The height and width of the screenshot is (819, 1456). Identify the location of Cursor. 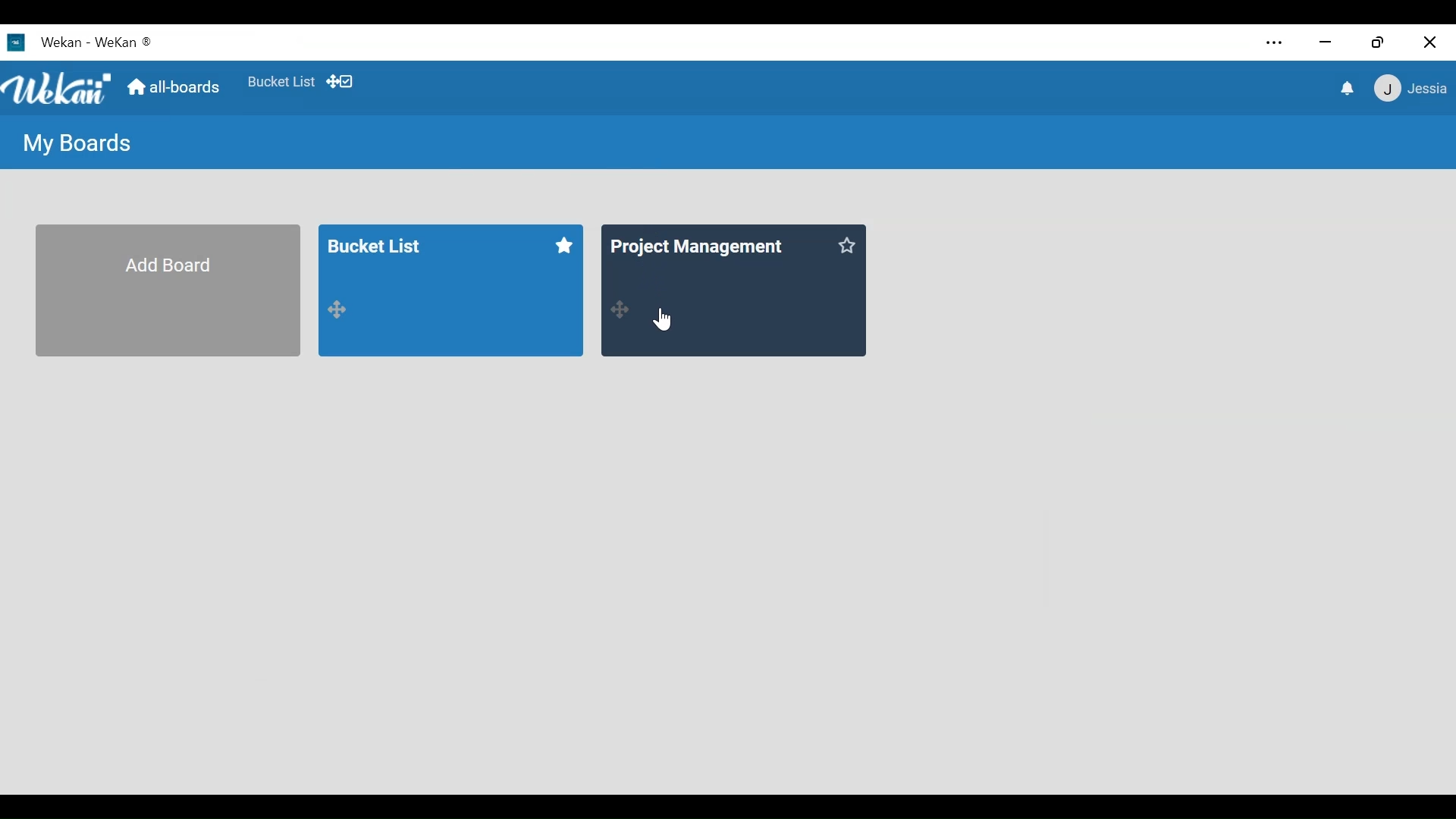
(666, 318).